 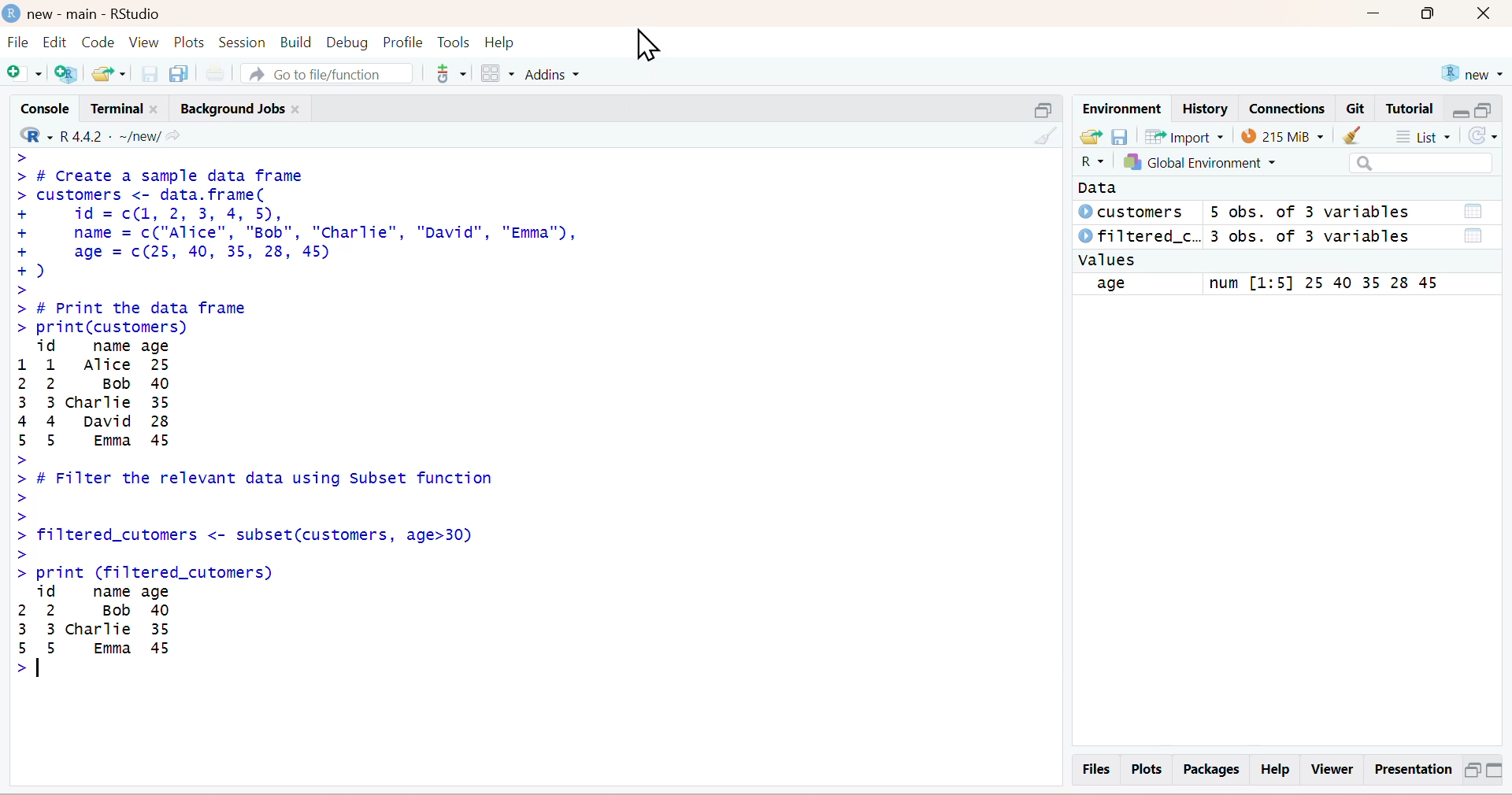 What do you see at coordinates (145, 42) in the screenshot?
I see `View` at bounding box center [145, 42].